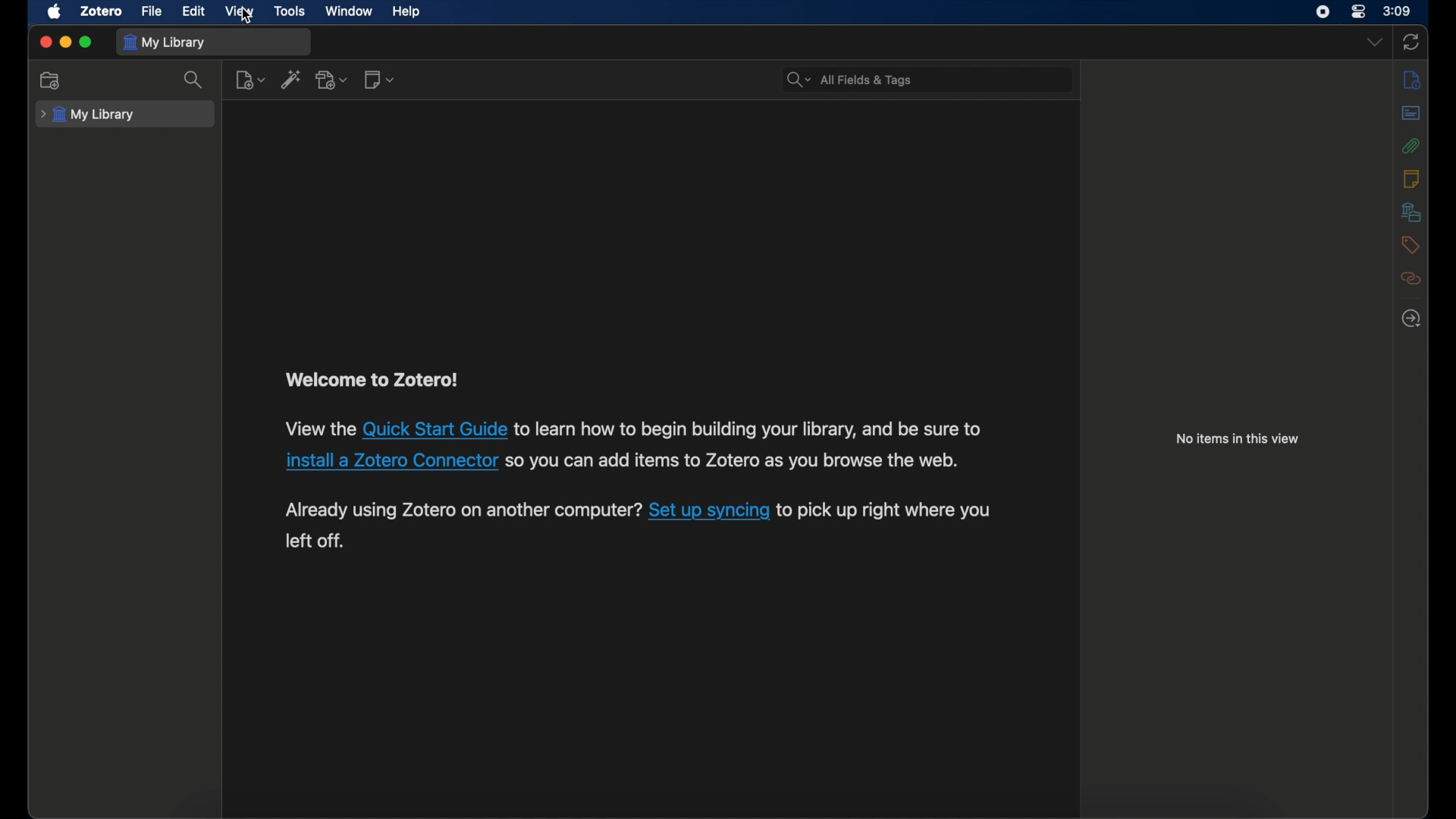 The image size is (1456, 819). What do you see at coordinates (1411, 178) in the screenshot?
I see `notes` at bounding box center [1411, 178].